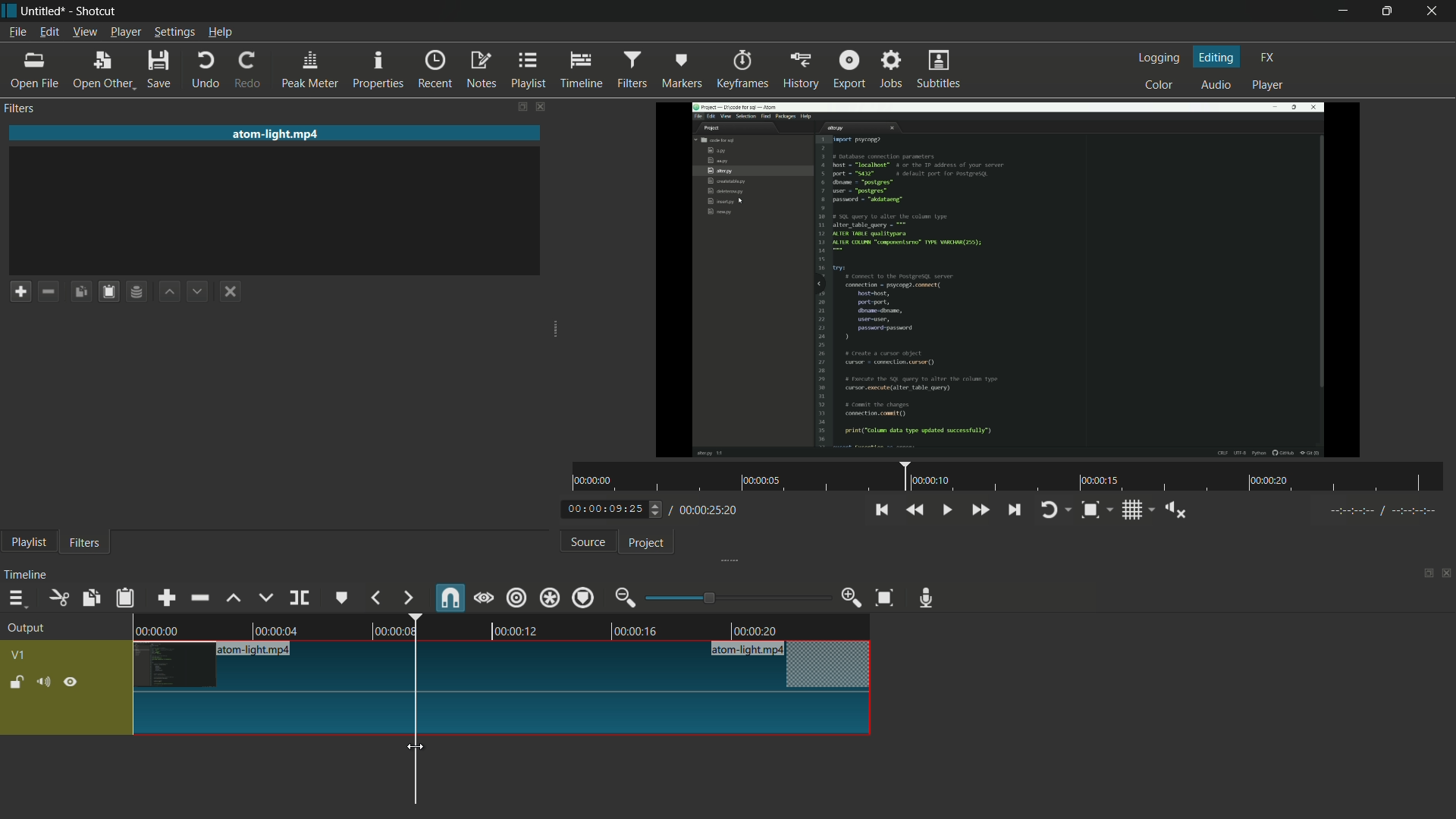 The image size is (1456, 819). What do you see at coordinates (1162, 58) in the screenshot?
I see `logging` at bounding box center [1162, 58].